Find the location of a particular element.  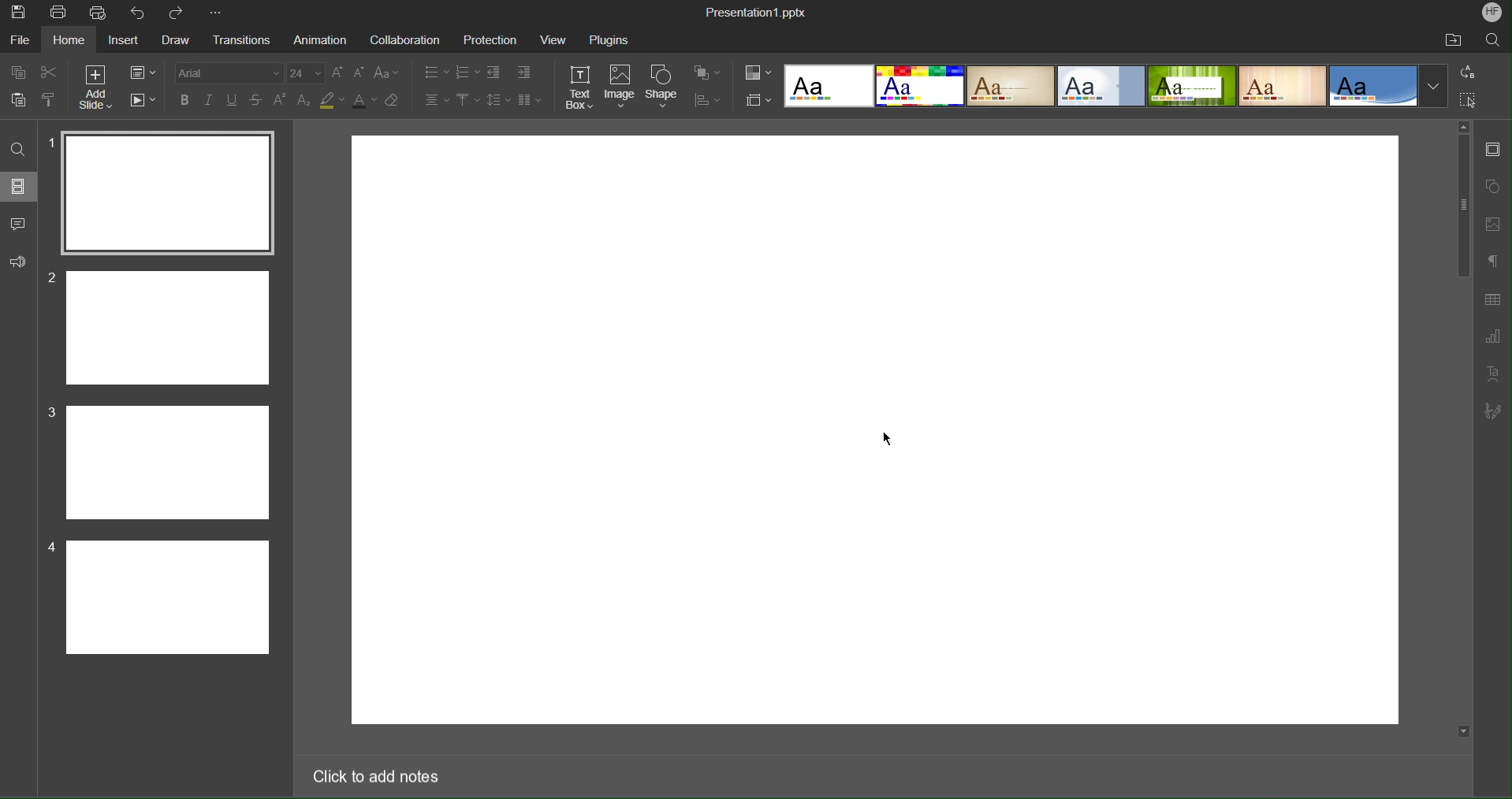

workspace is located at coordinates (873, 430).